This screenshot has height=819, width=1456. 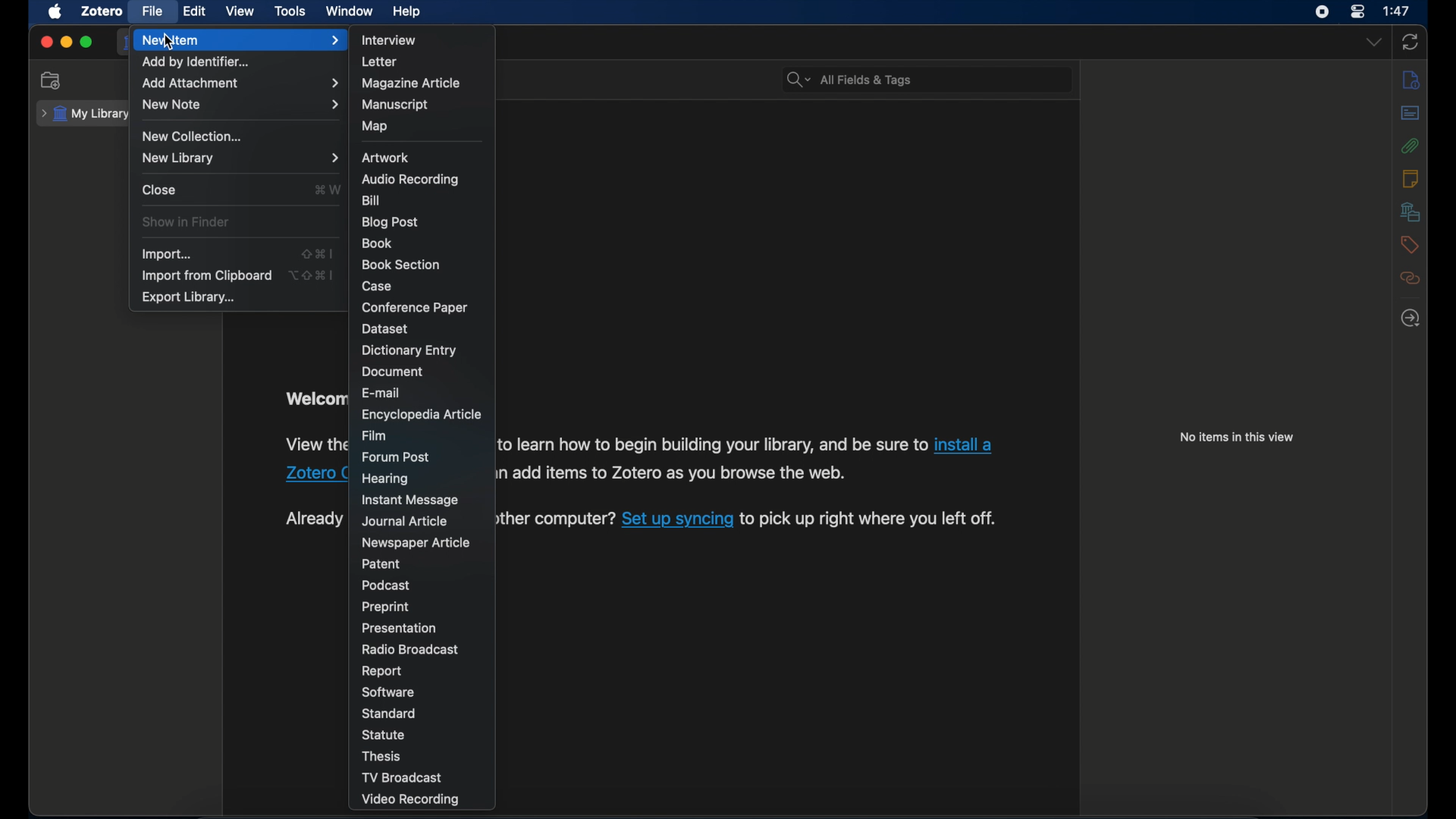 I want to click on import from clipboard, so click(x=206, y=276).